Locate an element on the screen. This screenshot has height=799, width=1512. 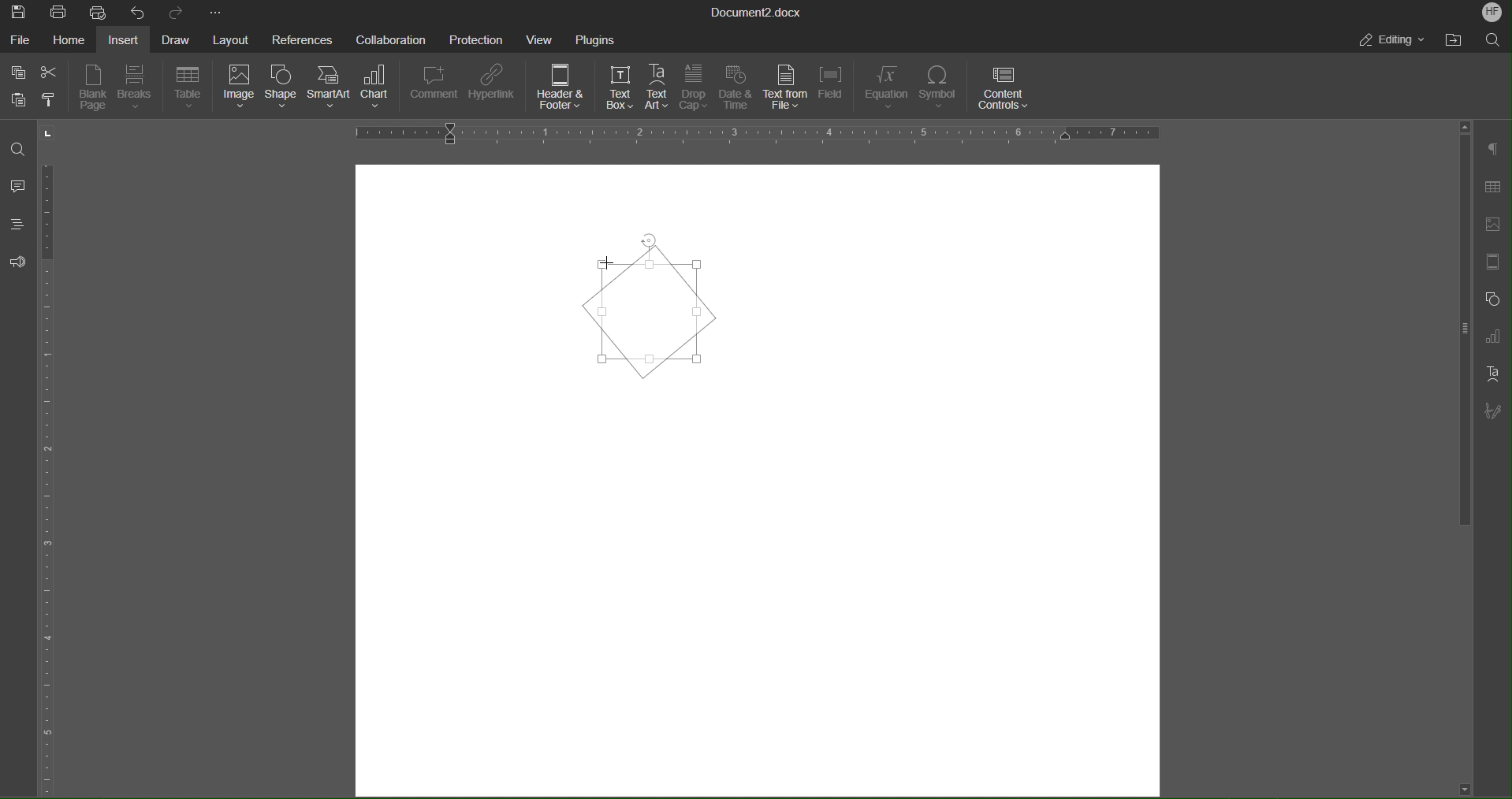
Feedback and Support is located at coordinates (17, 262).